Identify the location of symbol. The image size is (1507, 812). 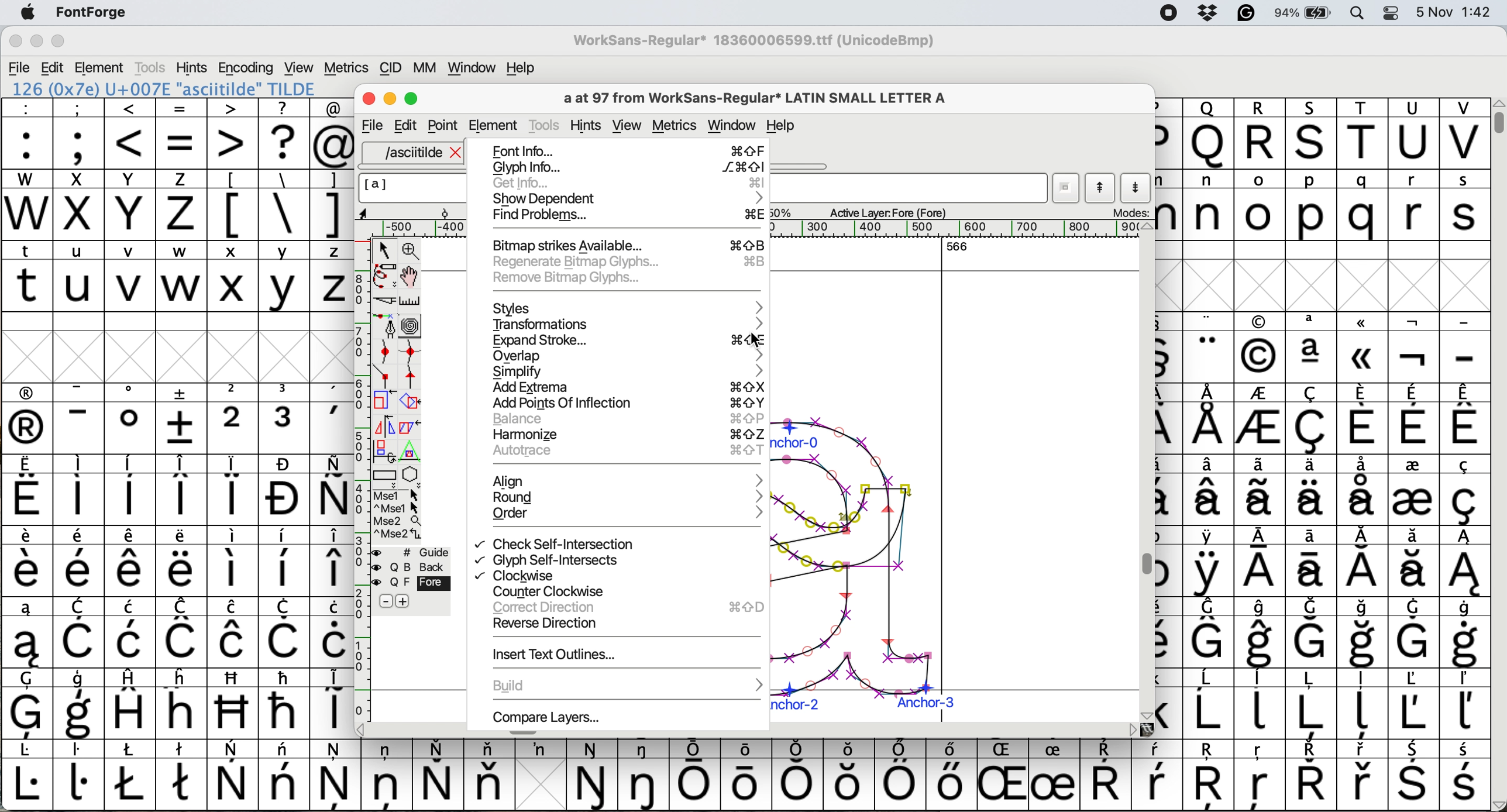
(1157, 775).